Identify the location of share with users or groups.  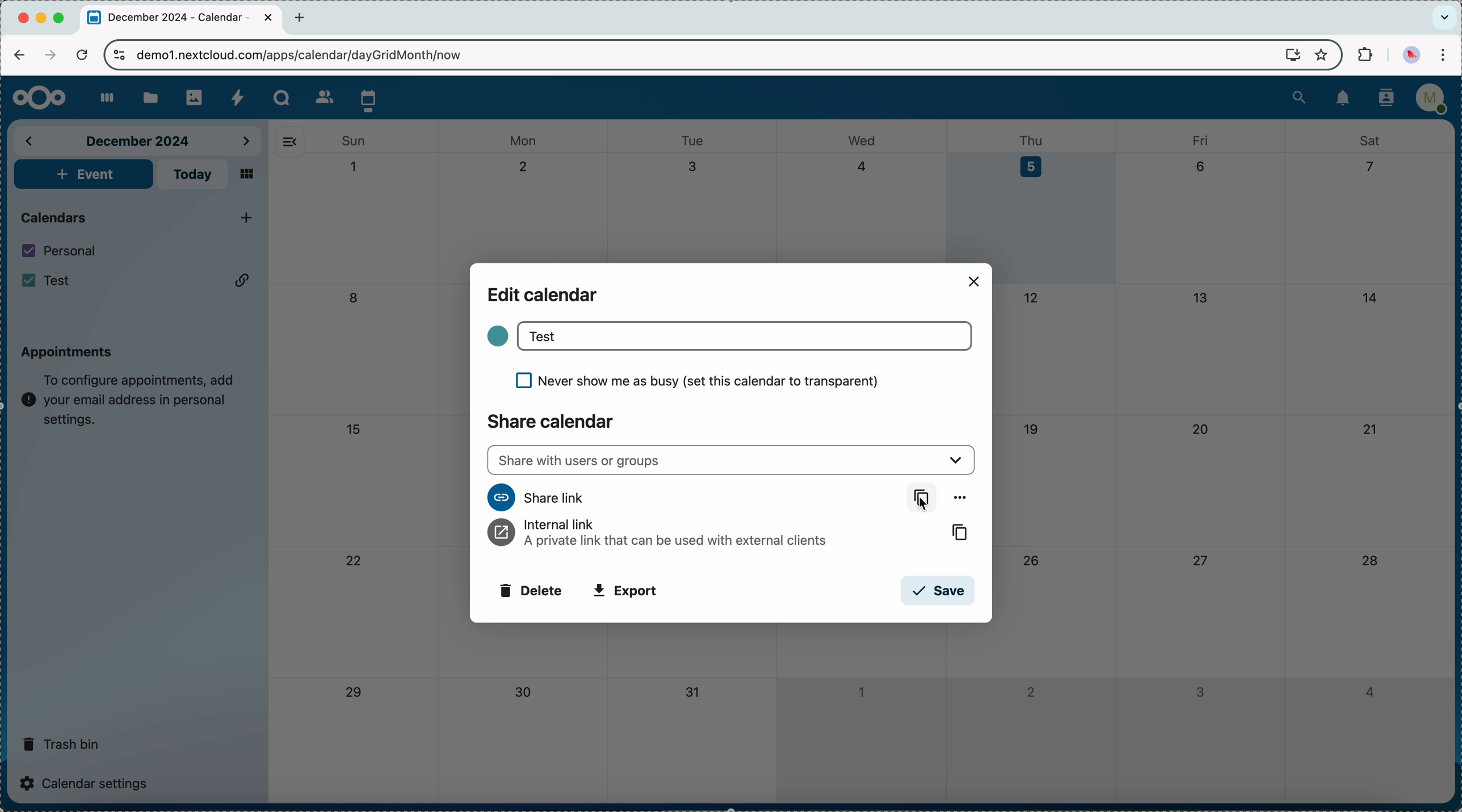
(733, 460).